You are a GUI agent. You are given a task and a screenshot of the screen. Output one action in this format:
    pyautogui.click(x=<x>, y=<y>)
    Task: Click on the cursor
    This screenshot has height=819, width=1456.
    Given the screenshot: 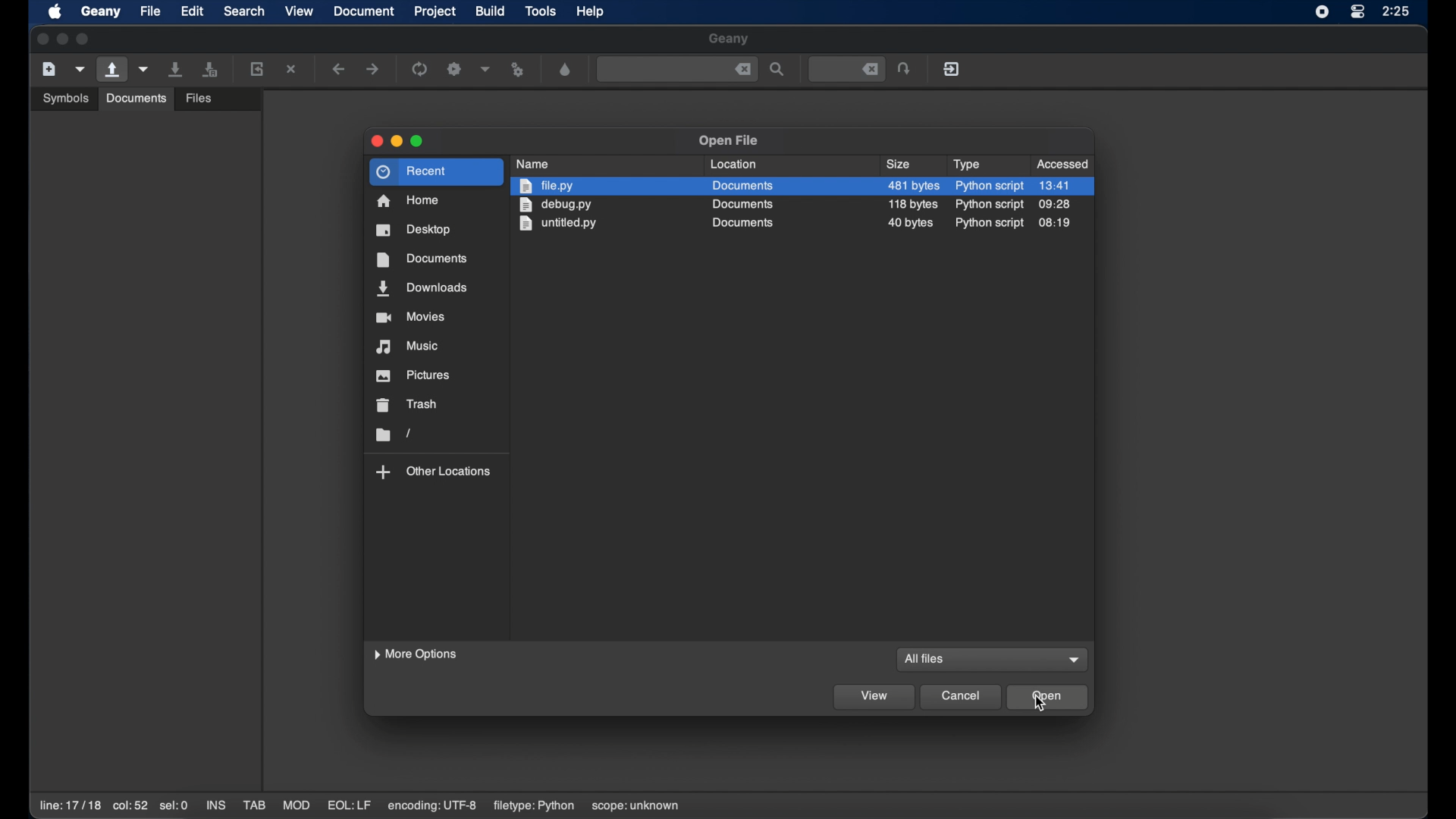 What is the action you would take?
    pyautogui.click(x=1041, y=705)
    